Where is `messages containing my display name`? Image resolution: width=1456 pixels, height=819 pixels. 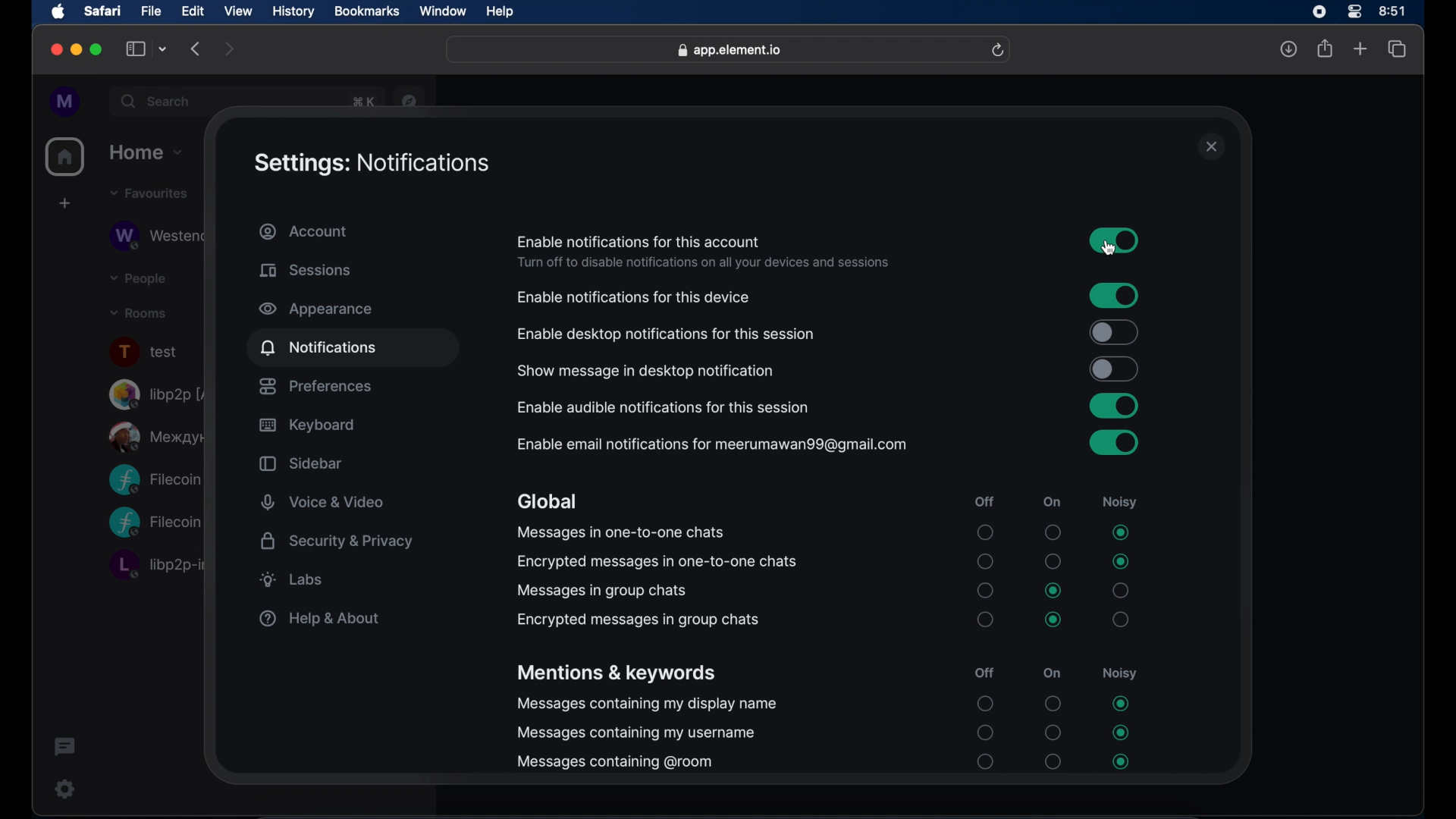 messages containing my display name is located at coordinates (648, 704).